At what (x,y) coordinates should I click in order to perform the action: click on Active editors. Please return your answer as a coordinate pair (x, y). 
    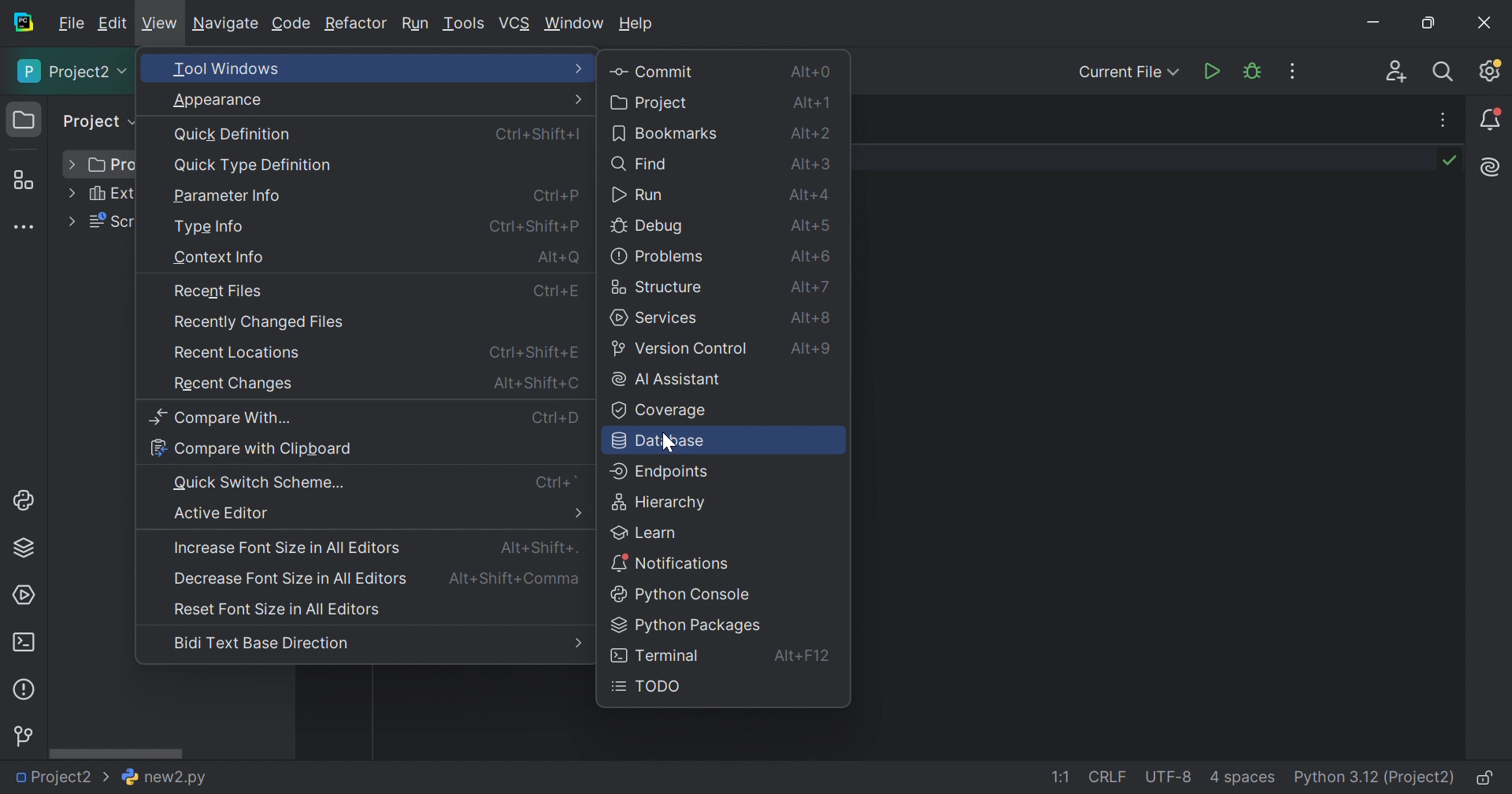
    Looking at the image, I should click on (223, 513).